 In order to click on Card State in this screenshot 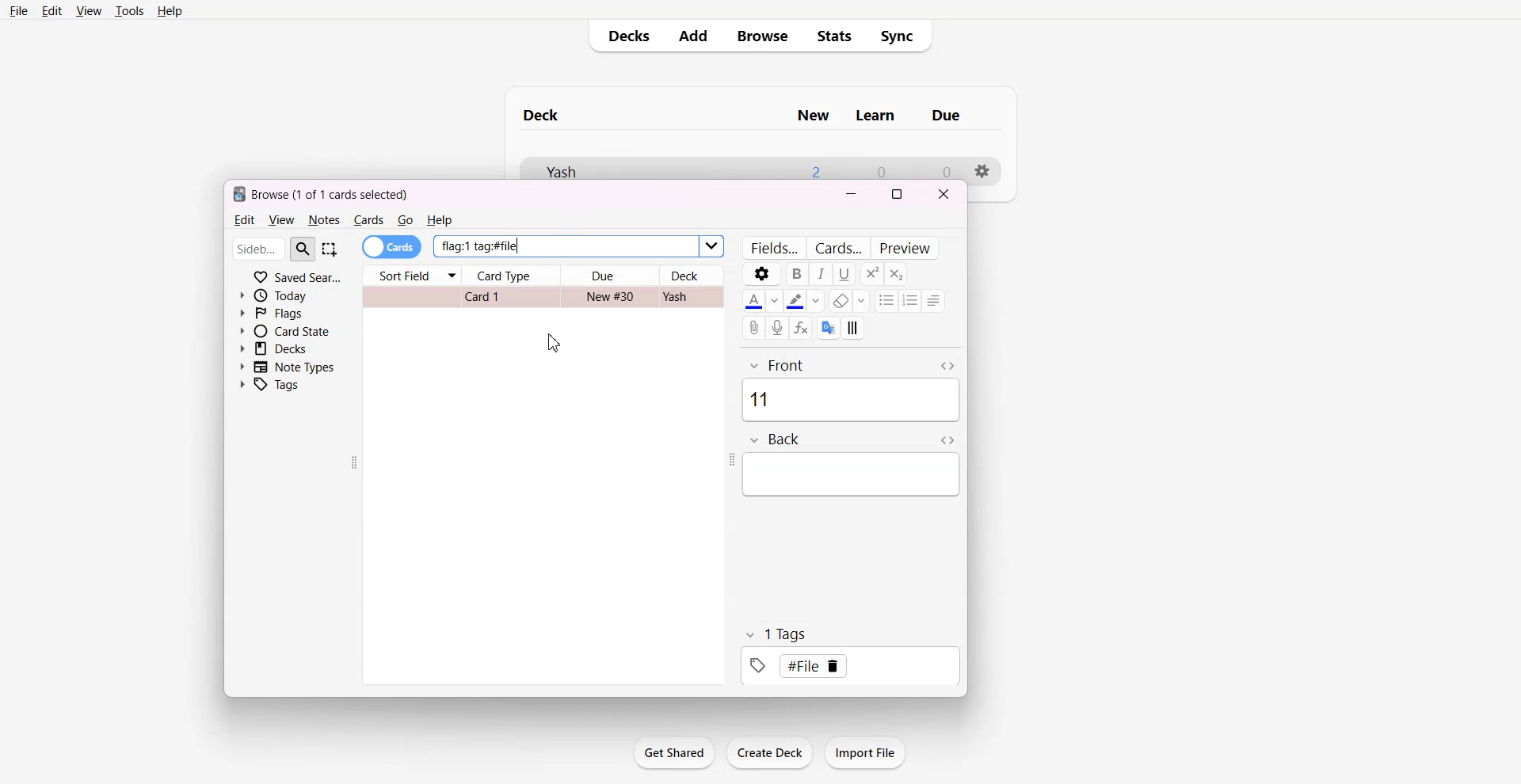, I will do `click(284, 332)`.